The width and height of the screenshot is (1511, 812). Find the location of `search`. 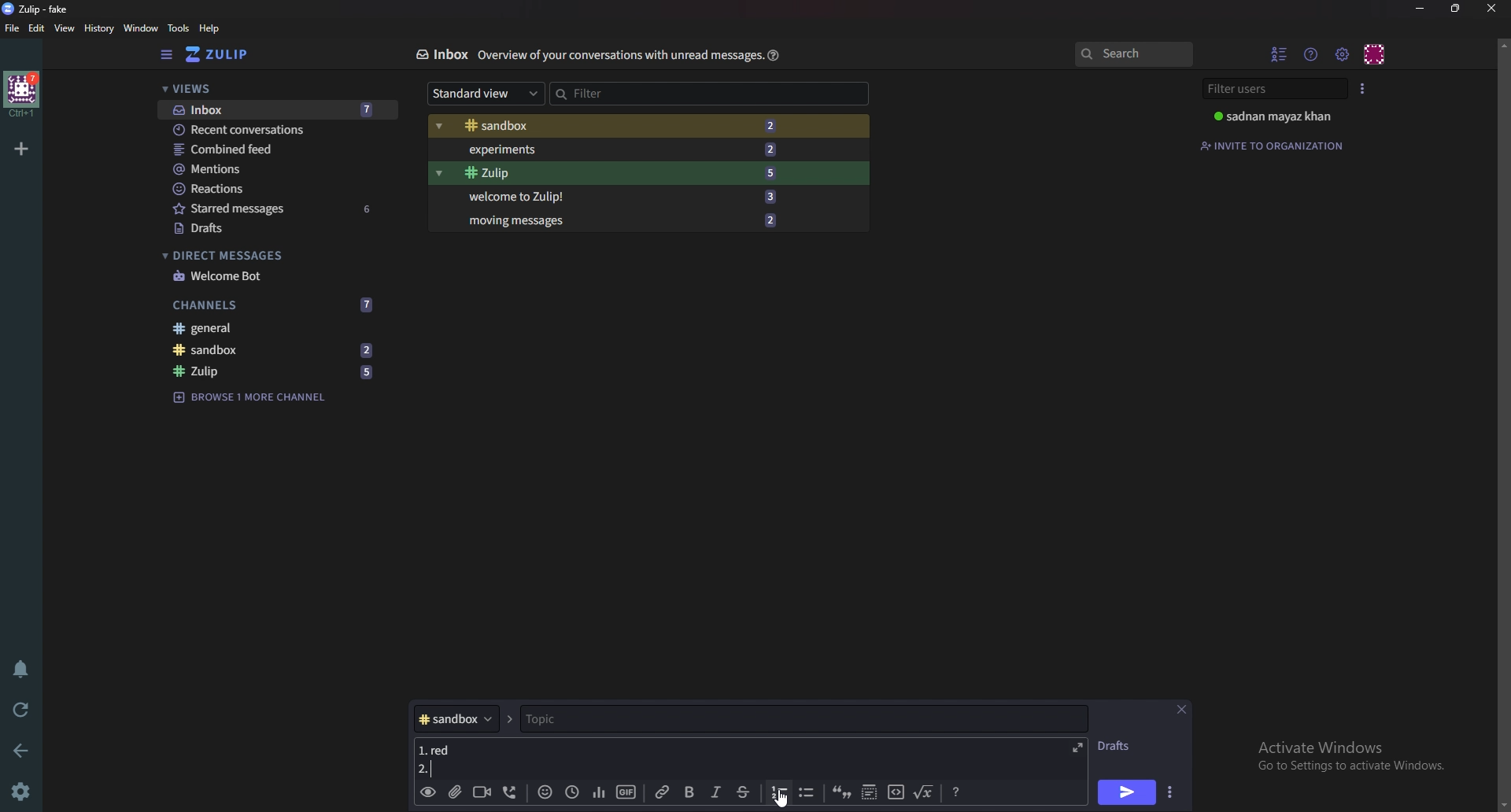

search is located at coordinates (1133, 55).